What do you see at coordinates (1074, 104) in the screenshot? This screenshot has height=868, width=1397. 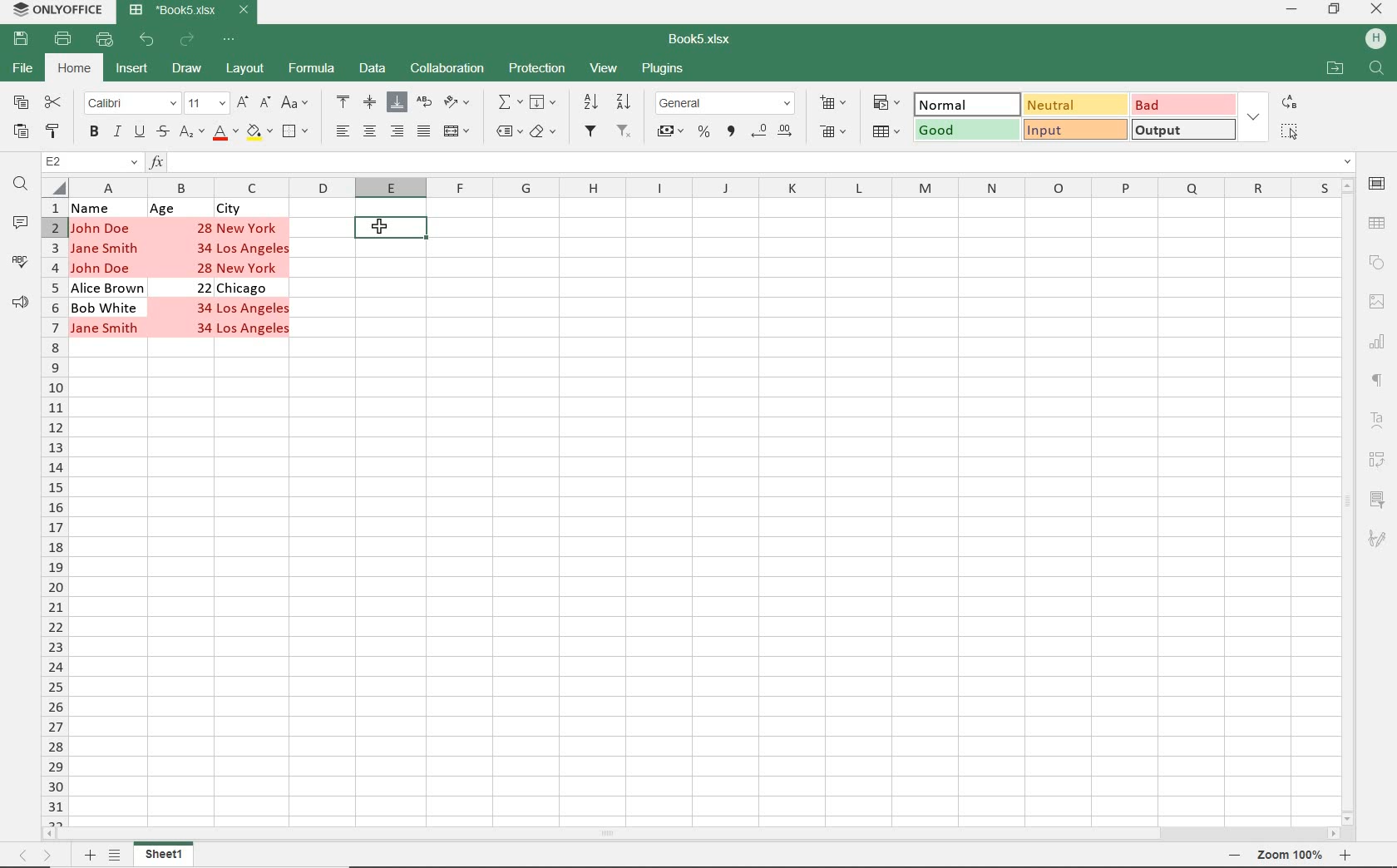 I see `NEUTRAL` at bounding box center [1074, 104].